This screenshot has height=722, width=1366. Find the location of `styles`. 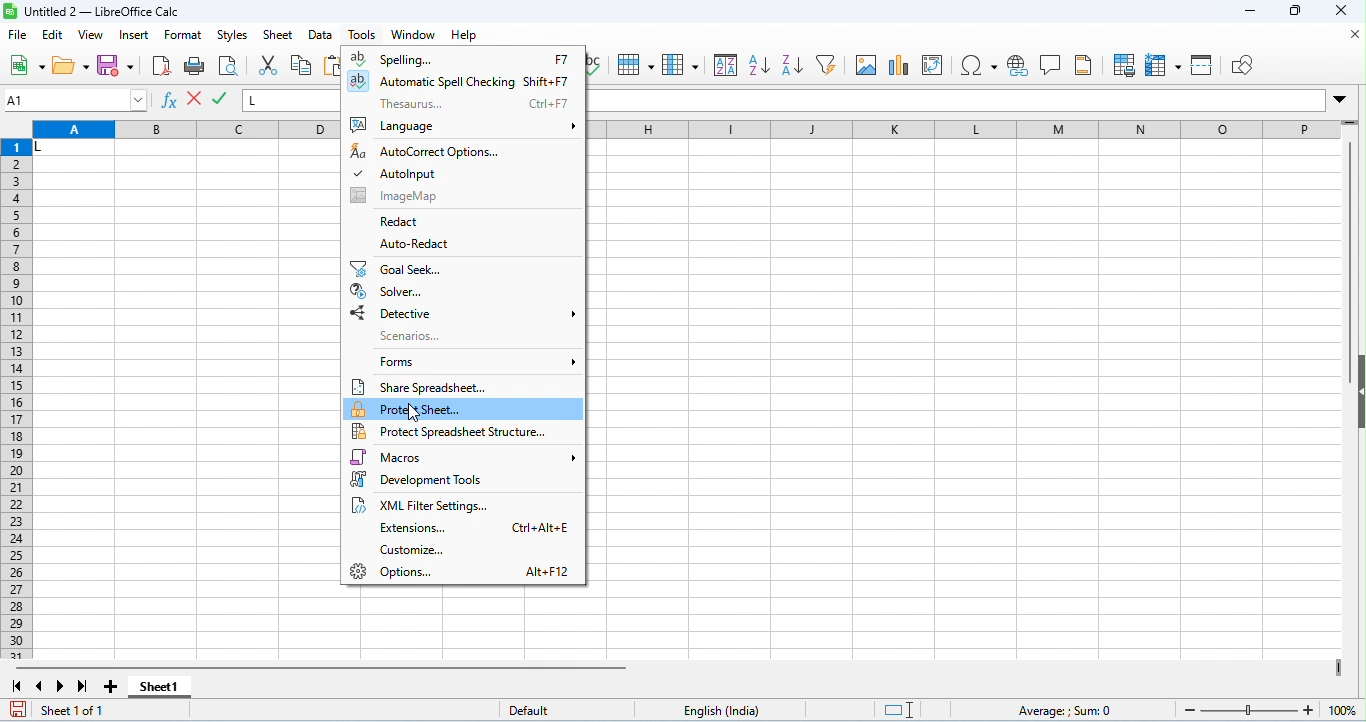

styles is located at coordinates (233, 36).